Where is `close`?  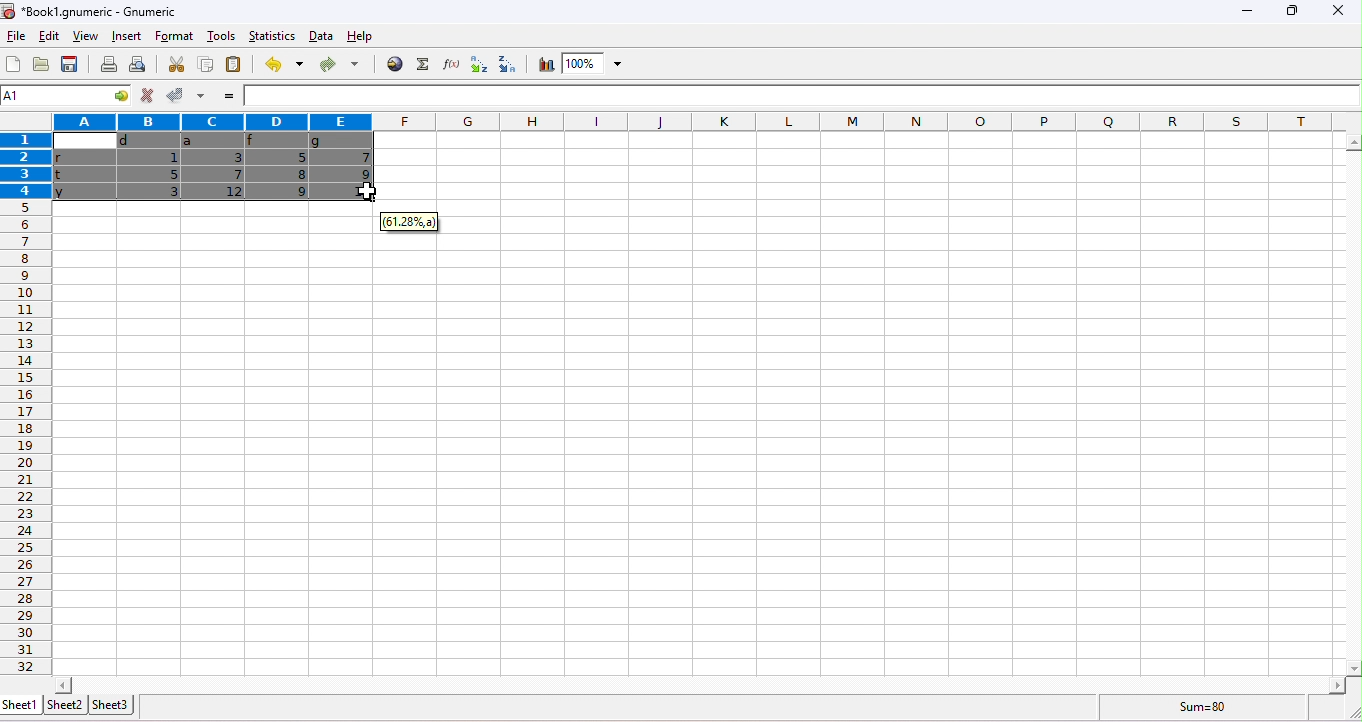
close is located at coordinates (1339, 13).